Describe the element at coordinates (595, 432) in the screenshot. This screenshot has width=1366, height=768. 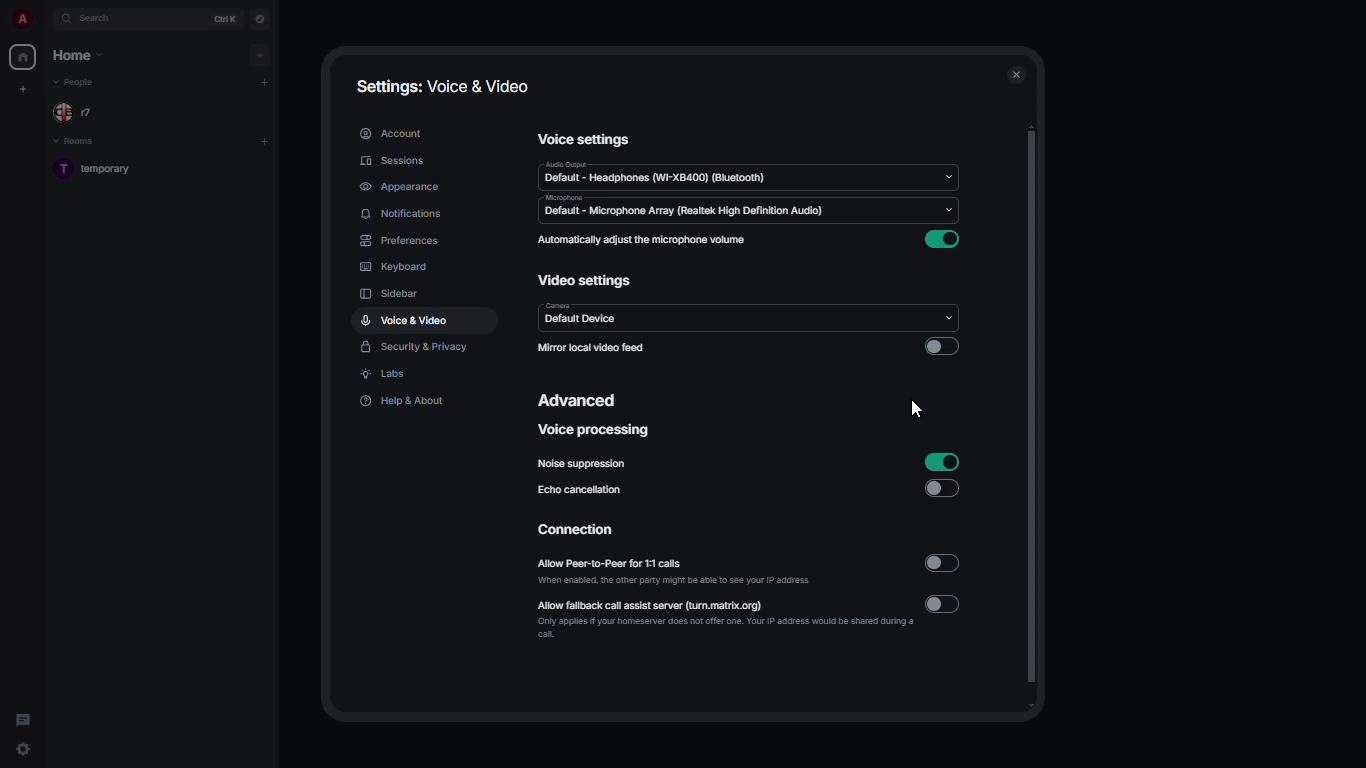
I see `voice processing` at that location.